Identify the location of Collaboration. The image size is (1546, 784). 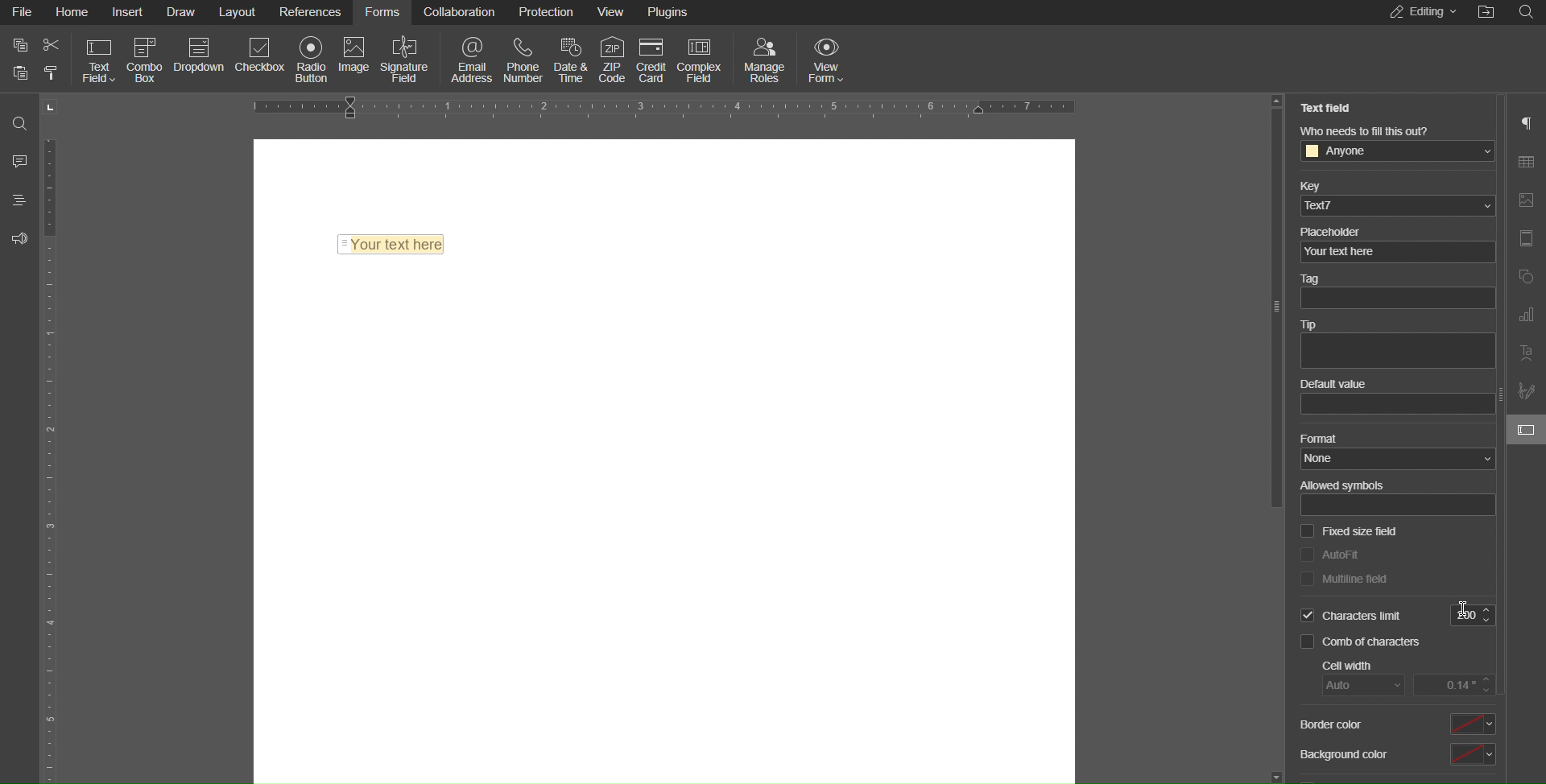
(460, 12).